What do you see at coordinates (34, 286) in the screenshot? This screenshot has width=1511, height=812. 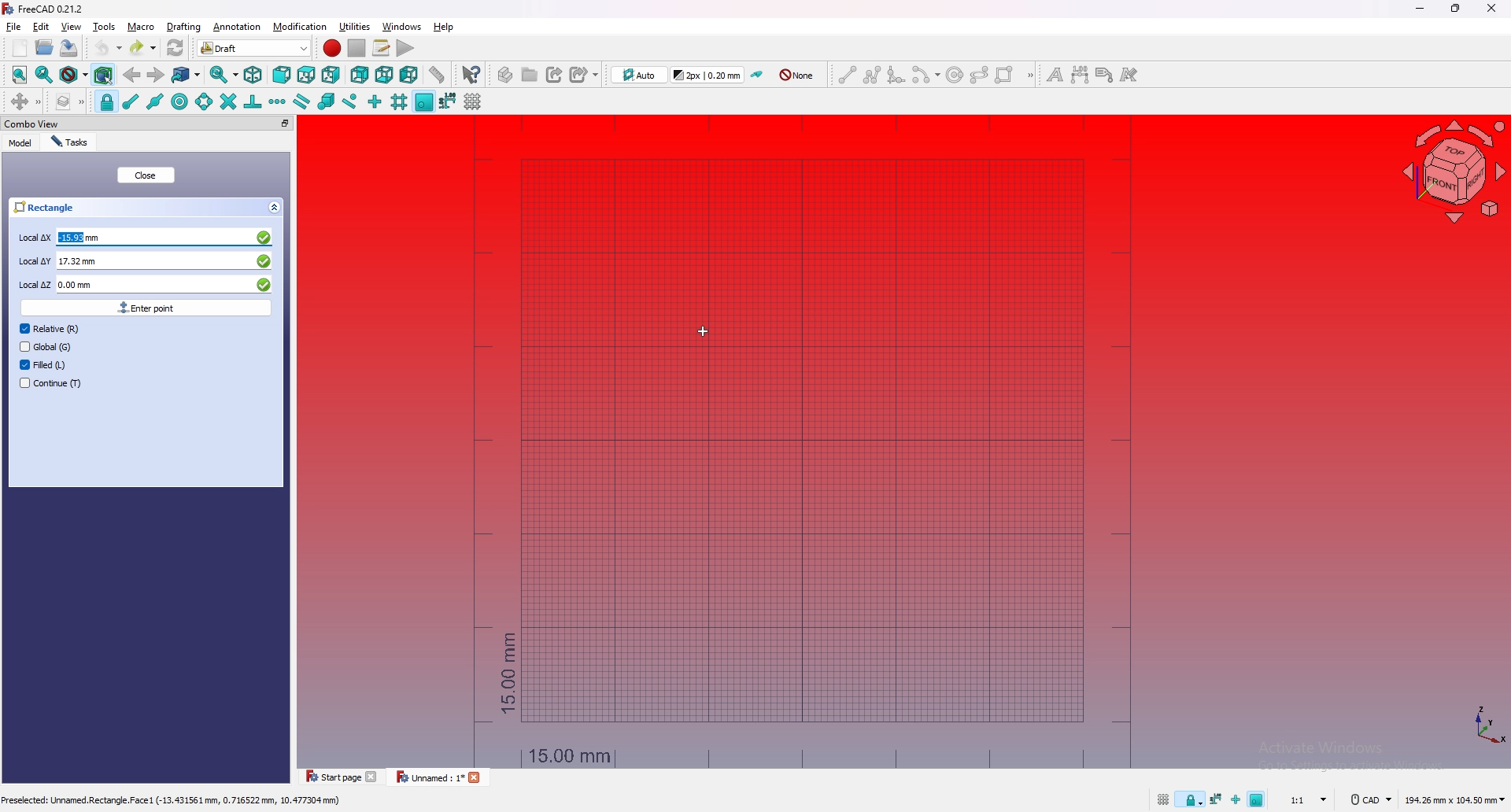 I see `local Δz` at bounding box center [34, 286].